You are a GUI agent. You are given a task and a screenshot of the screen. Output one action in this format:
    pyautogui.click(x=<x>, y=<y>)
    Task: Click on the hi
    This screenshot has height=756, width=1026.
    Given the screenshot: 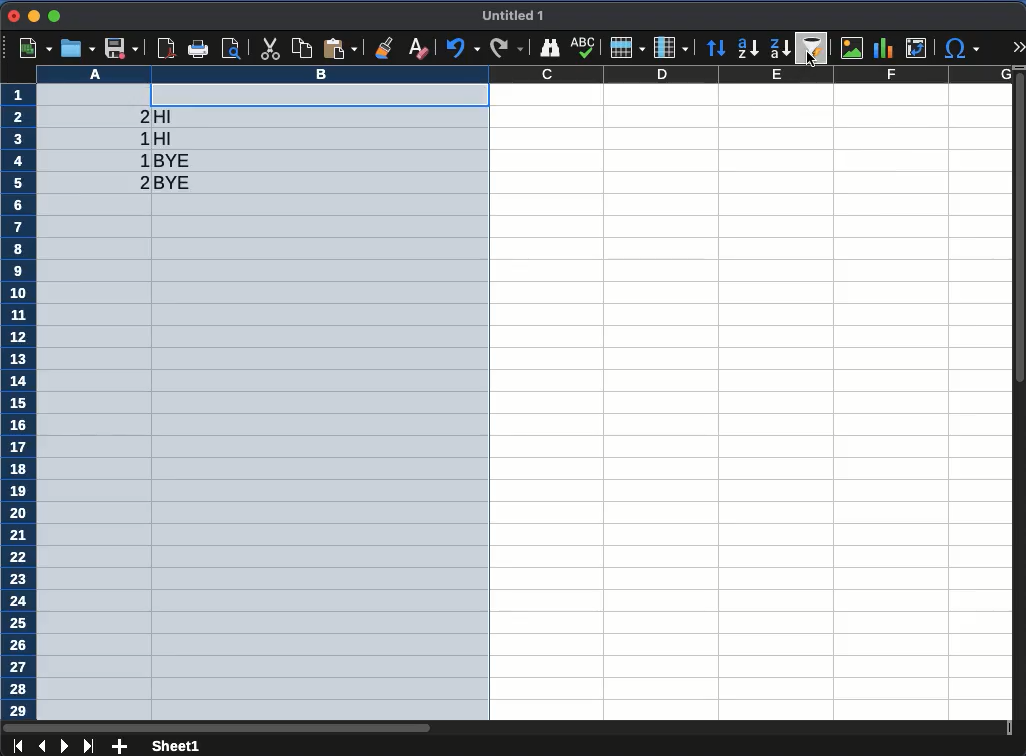 What is the action you would take?
    pyautogui.click(x=167, y=138)
    